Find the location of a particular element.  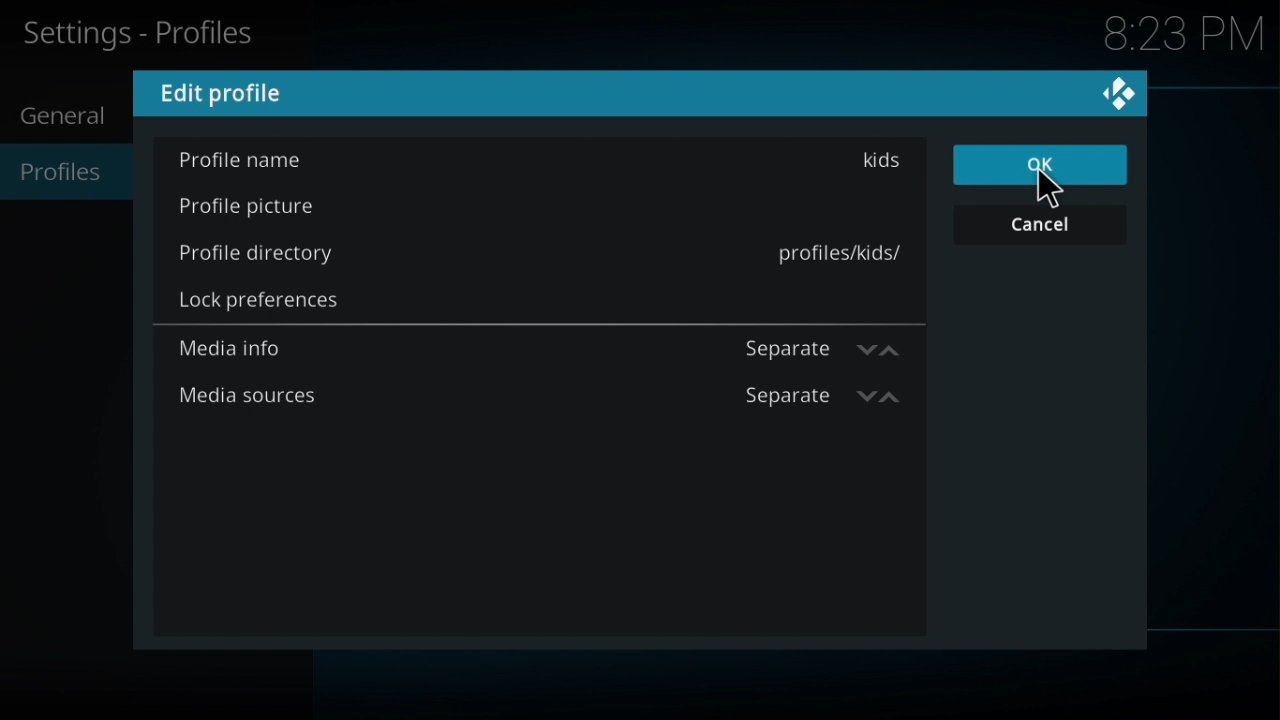

Lock preferences is located at coordinates (263, 303).